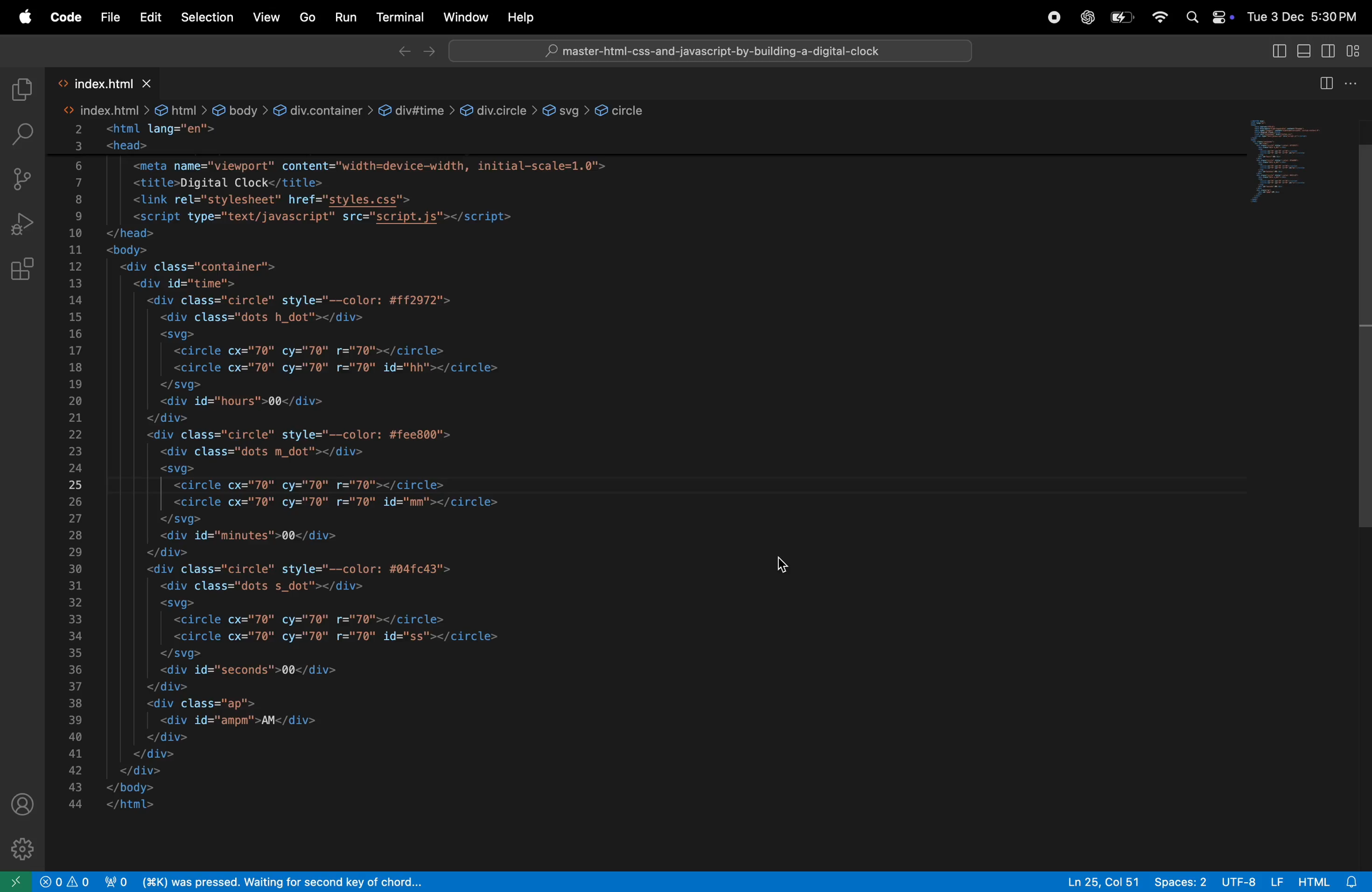 The width and height of the screenshot is (1372, 892). I want to click on Utf 8, so click(1252, 880).